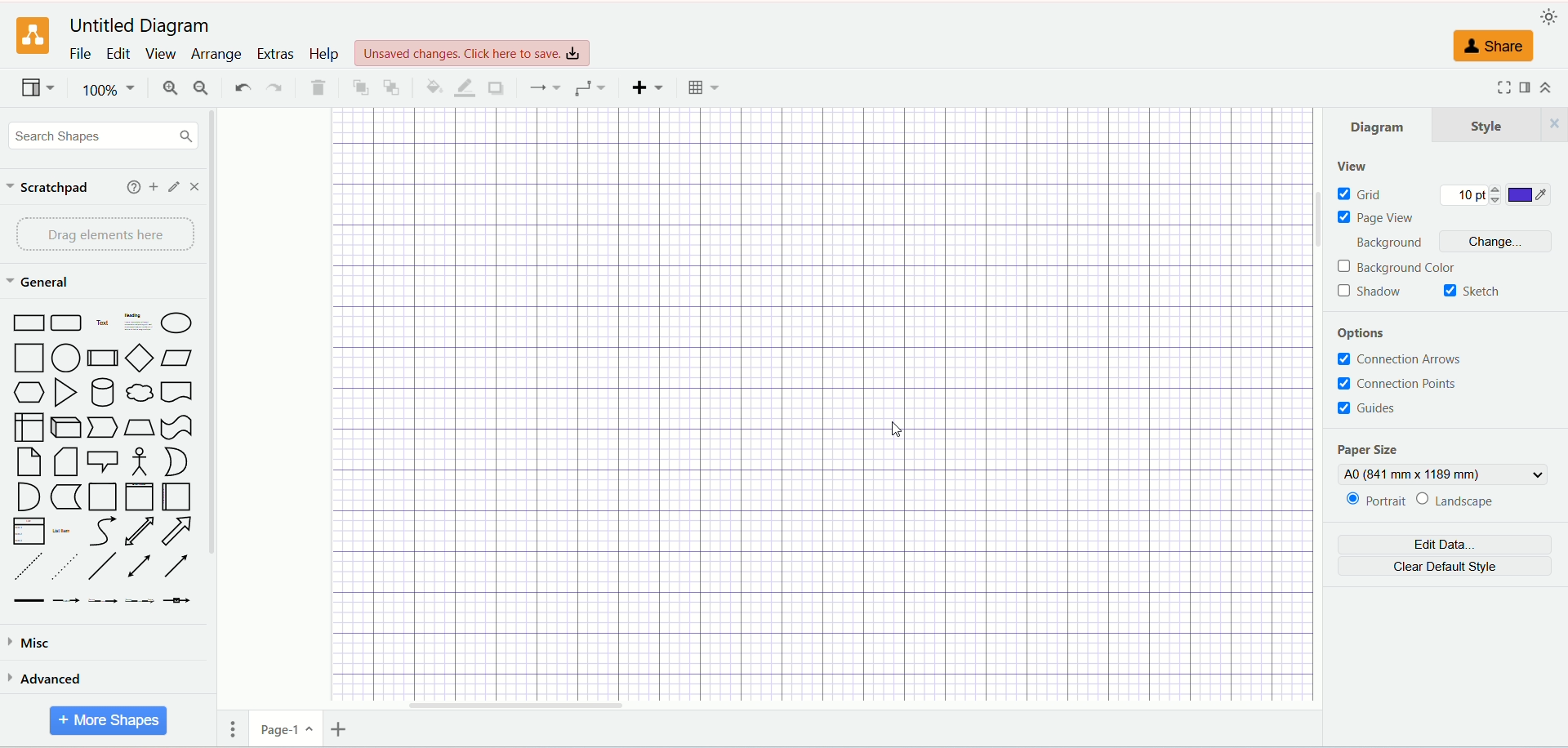 This screenshot has width=1568, height=748. Describe the element at coordinates (103, 428) in the screenshot. I see `Step` at that location.